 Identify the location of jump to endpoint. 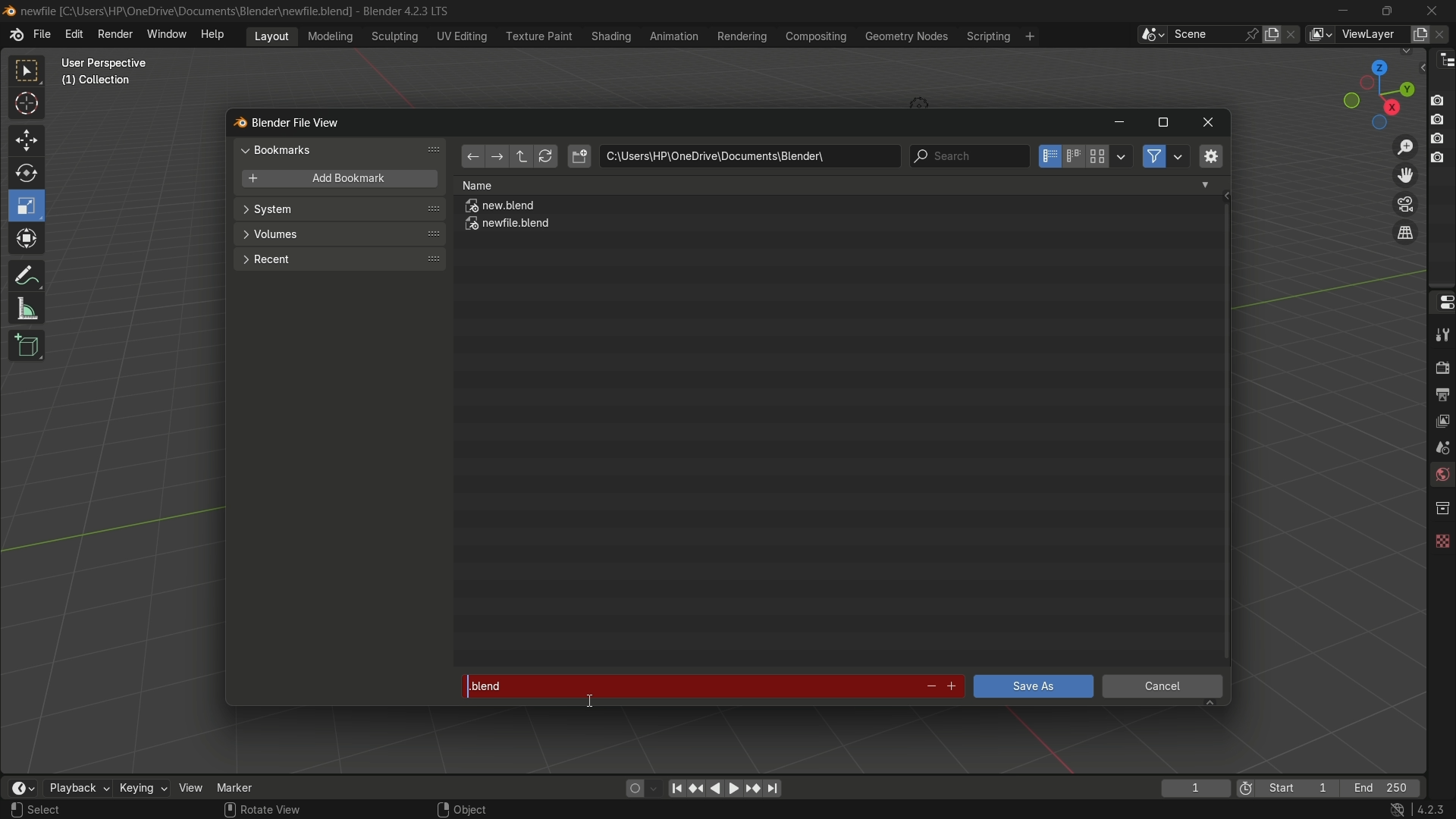
(676, 787).